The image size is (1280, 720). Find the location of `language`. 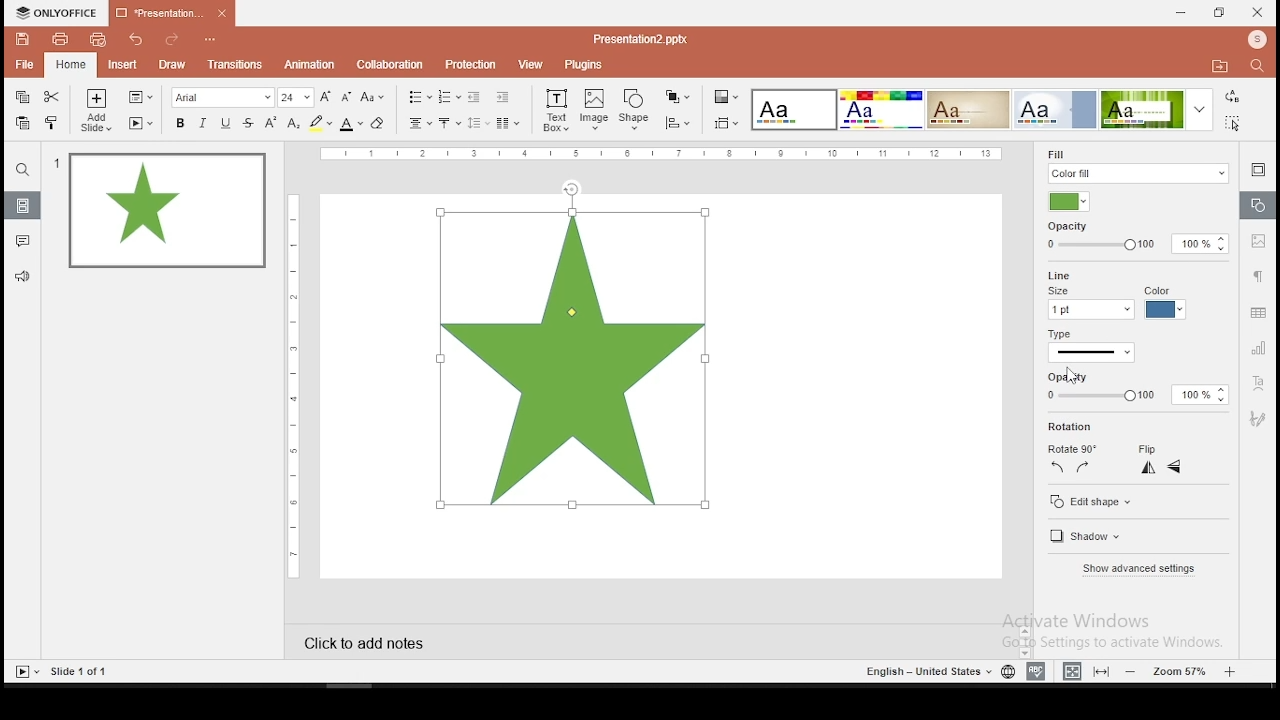

language is located at coordinates (1008, 674).